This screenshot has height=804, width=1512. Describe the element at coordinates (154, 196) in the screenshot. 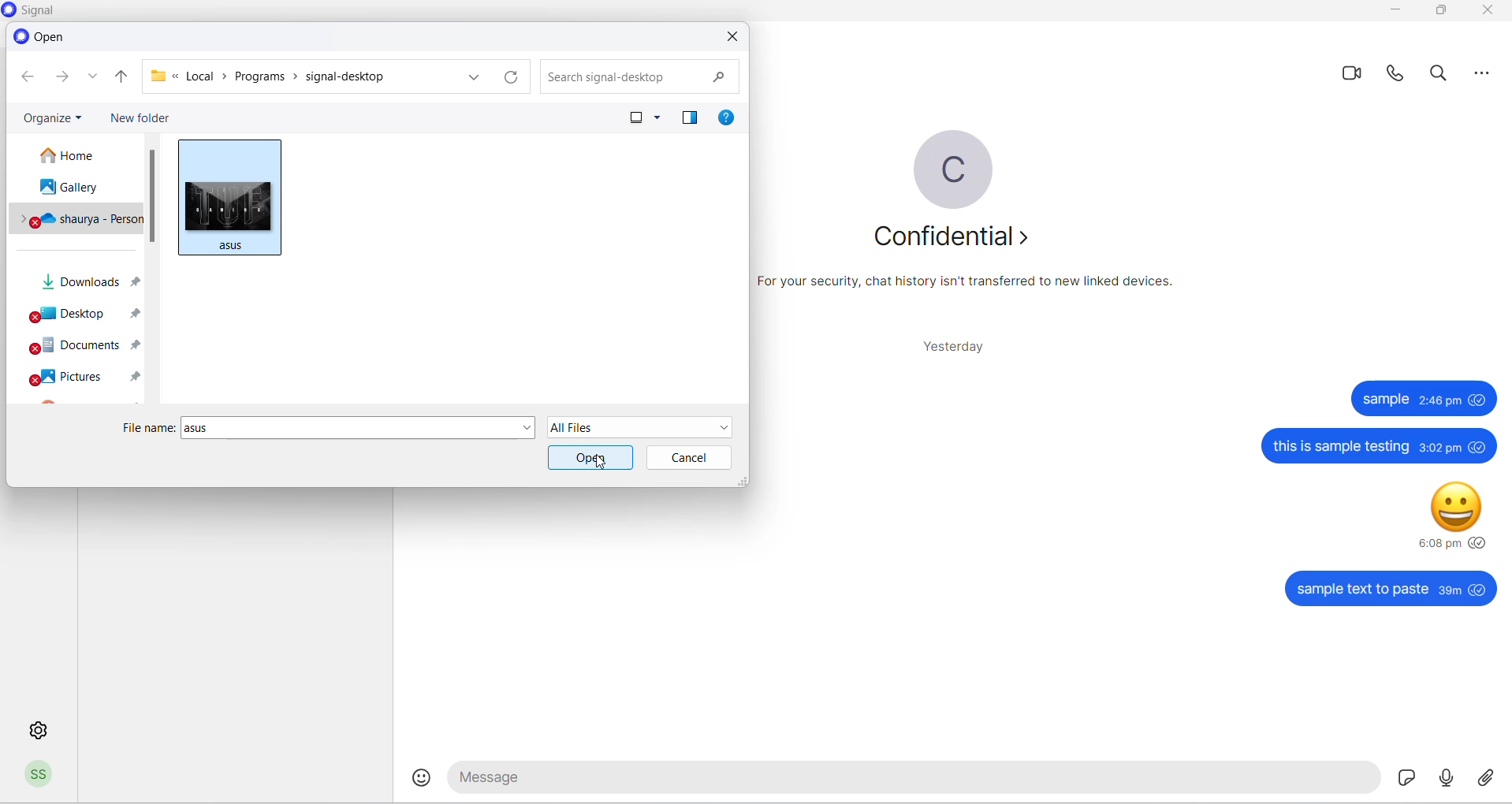

I see `scrollbar` at that location.